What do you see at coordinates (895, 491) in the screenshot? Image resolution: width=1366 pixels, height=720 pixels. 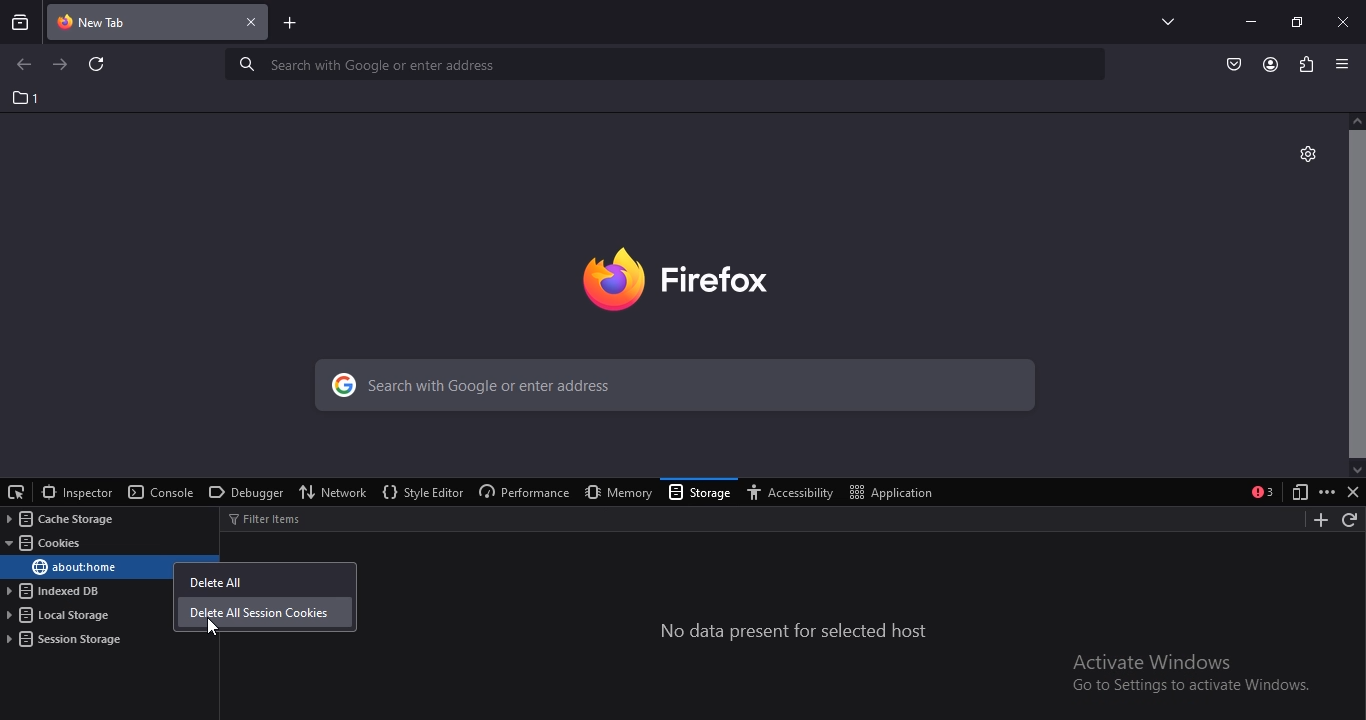 I see `application` at bounding box center [895, 491].